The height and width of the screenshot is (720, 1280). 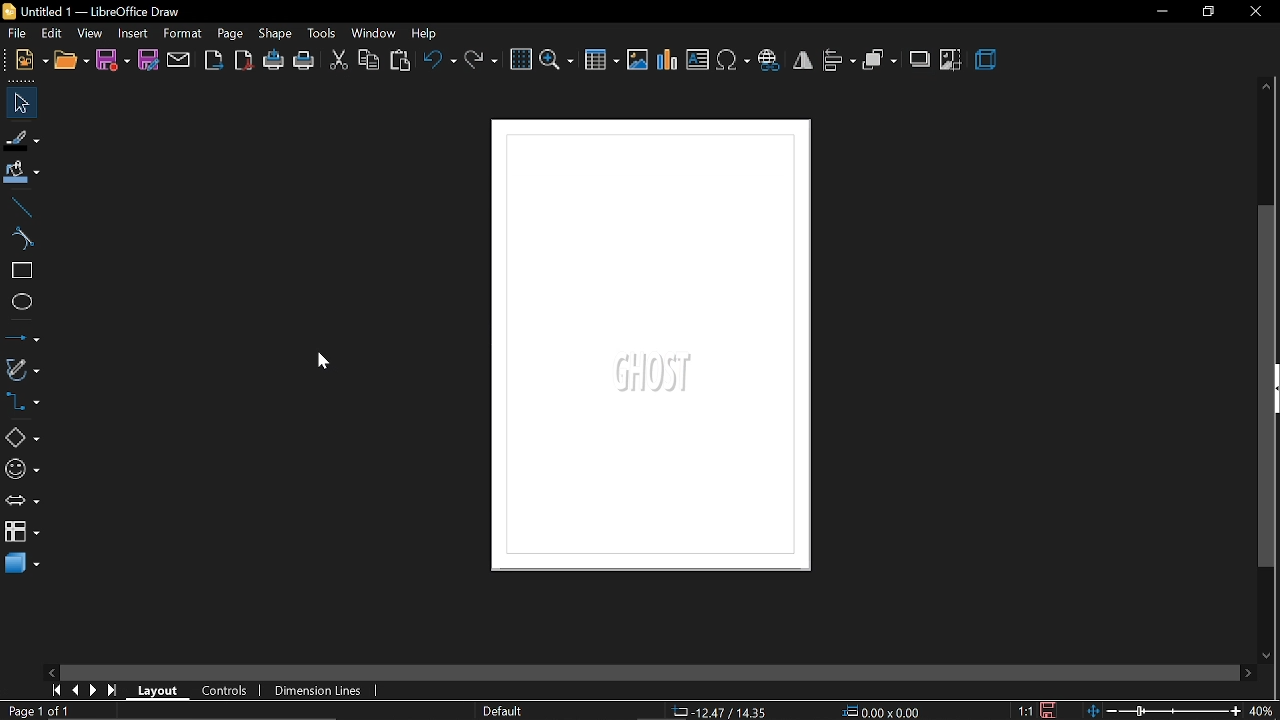 What do you see at coordinates (734, 61) in the screenshot?
I see `insert symbol` at bounding box center [734, 61].